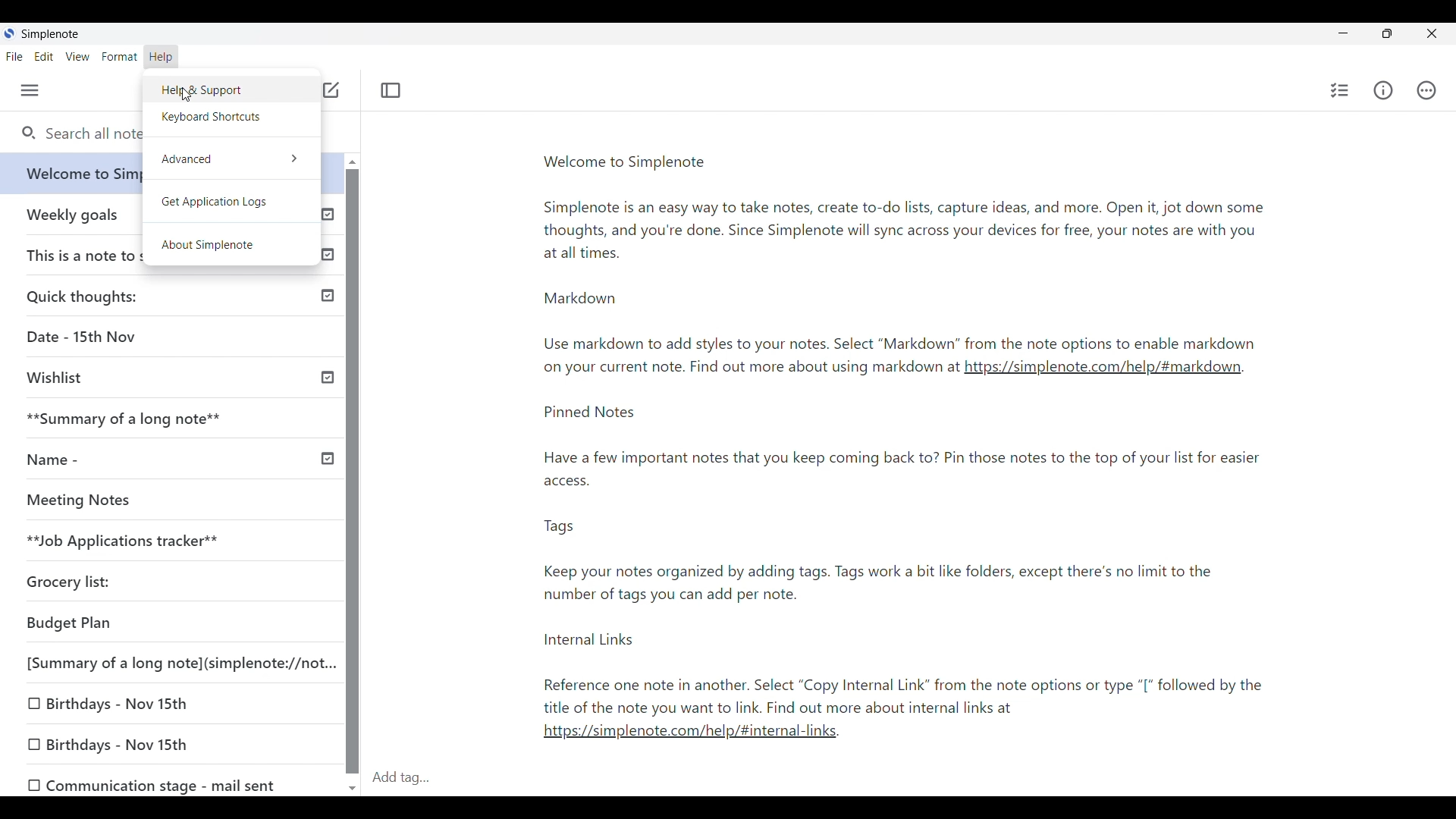 This screenshot has width=1456, height=819. What do you see at coordinates (66, 214) in the screenshot?
I see `Weekly goals` at bounding box center [66, 214].